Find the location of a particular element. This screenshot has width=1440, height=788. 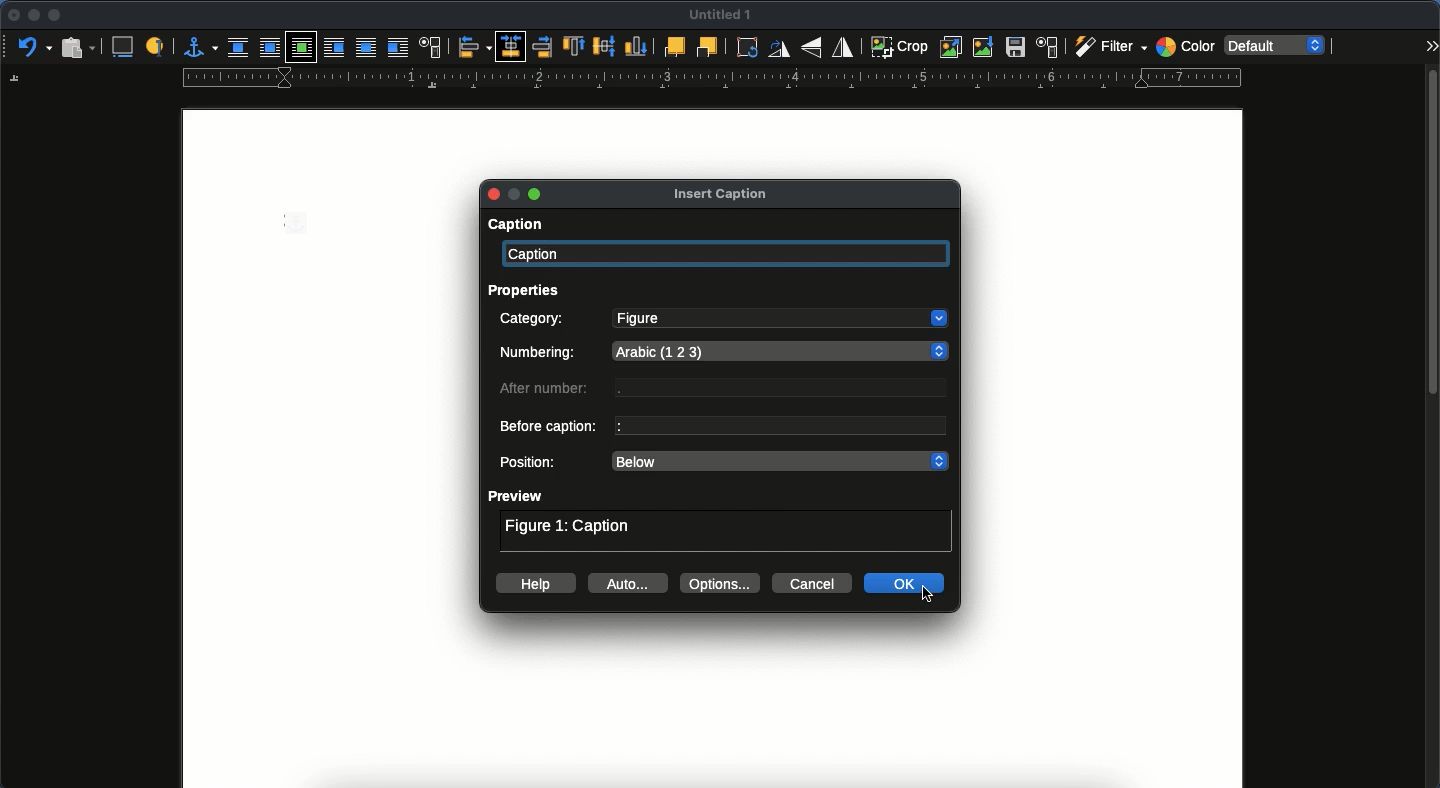

figure is located at coordinates (780, 319).